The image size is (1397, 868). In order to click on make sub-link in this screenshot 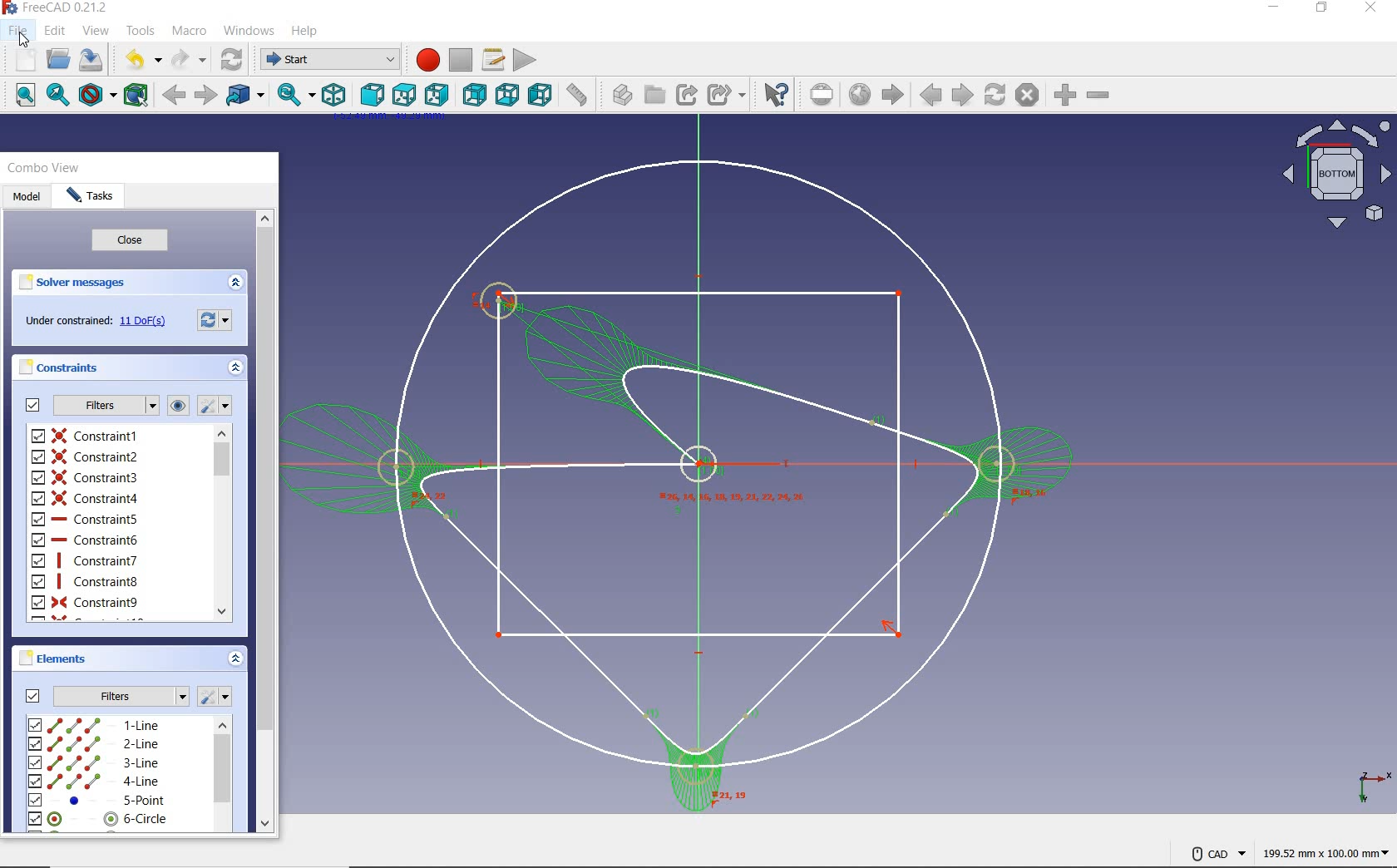, I will do `click(726, 94)`.